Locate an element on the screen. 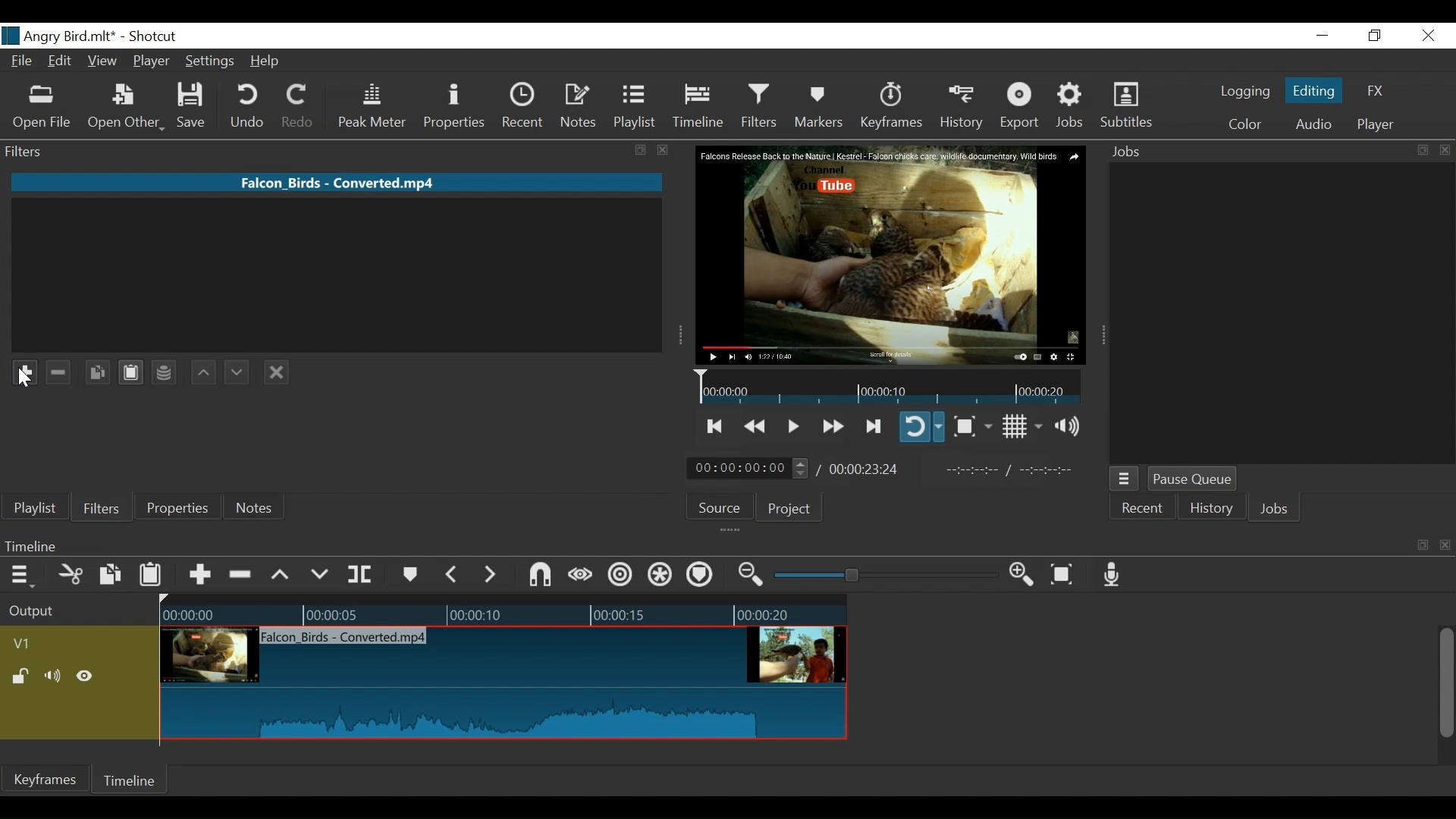  filters is located at coordinates (308, 150).